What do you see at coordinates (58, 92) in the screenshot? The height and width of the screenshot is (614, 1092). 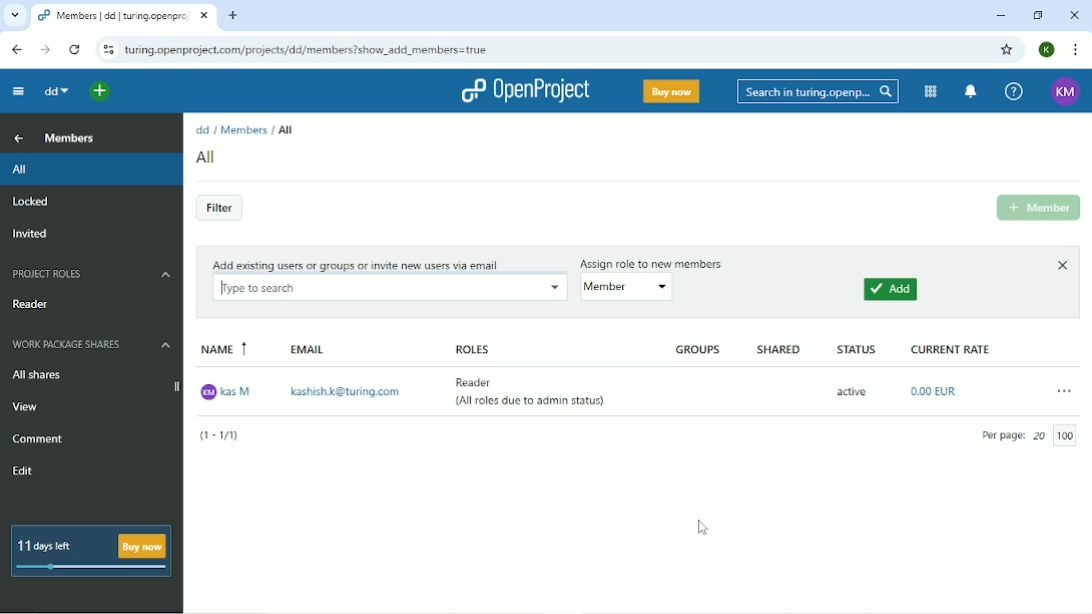 I see `dd` at bounding box center [58, 92].